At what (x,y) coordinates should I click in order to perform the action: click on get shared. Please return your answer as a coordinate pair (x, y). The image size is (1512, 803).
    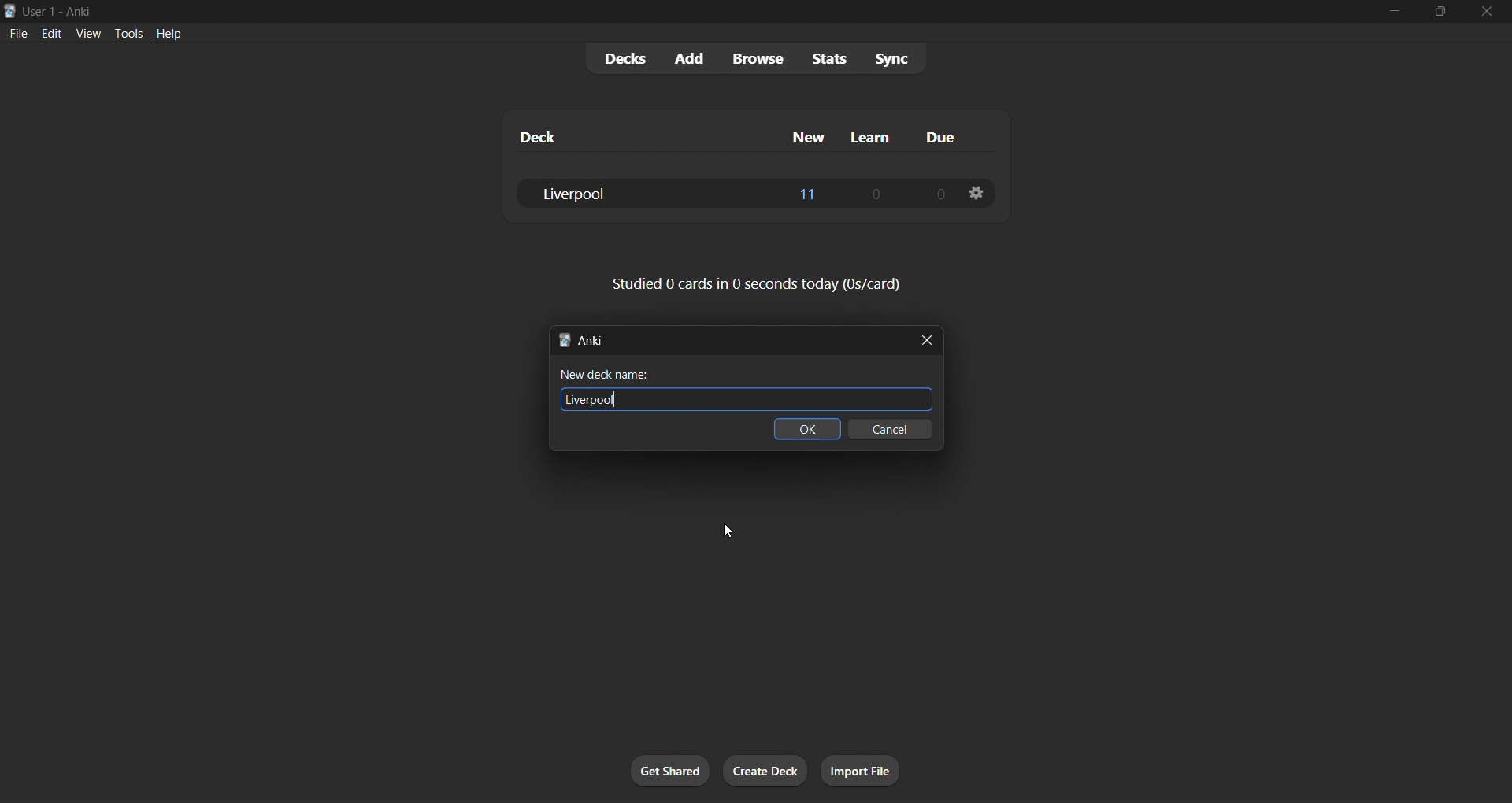
    Looking at the image, I should click on (663, 772).